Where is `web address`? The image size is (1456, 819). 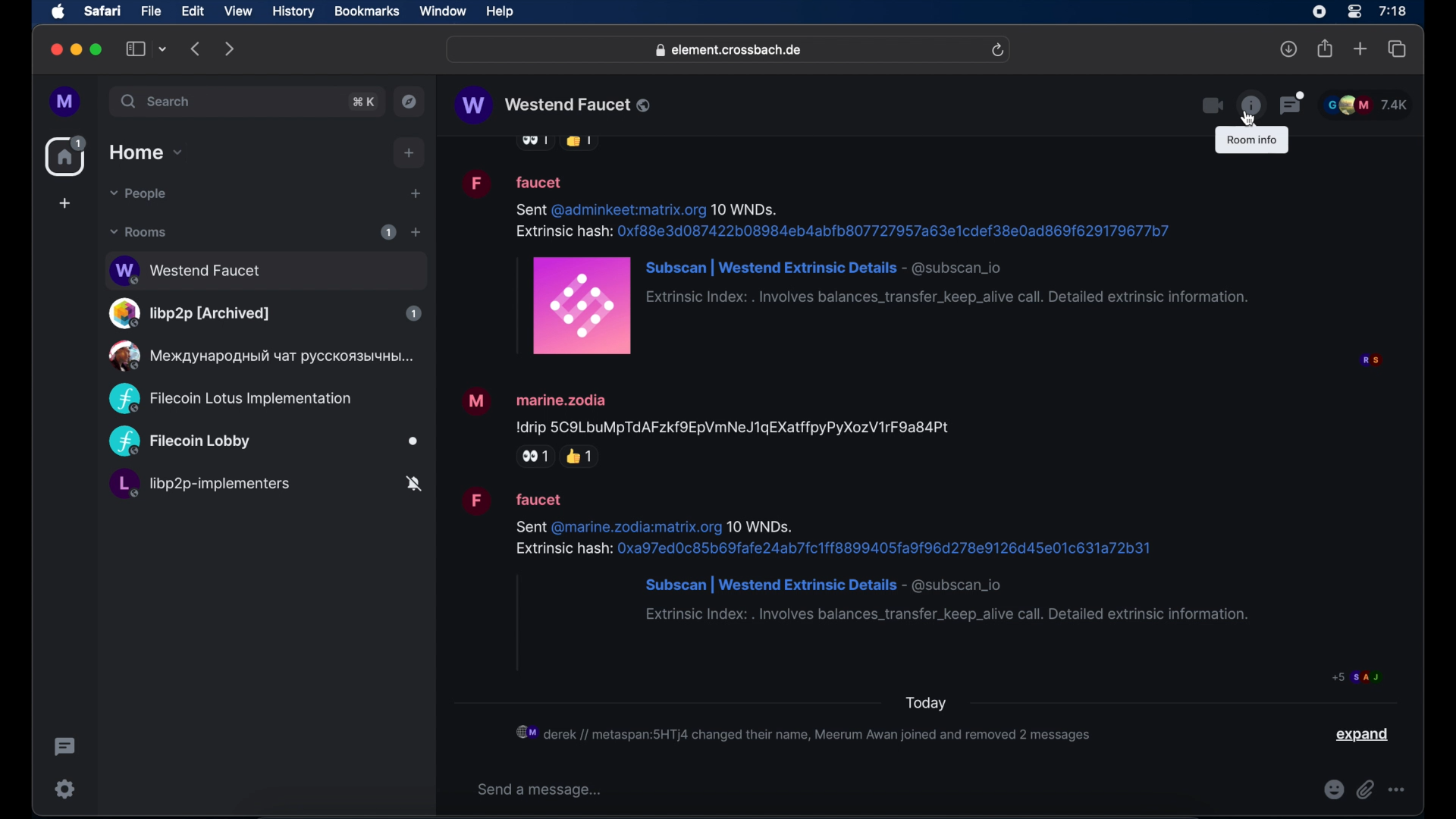
web address is located at coordinates (730, 51).